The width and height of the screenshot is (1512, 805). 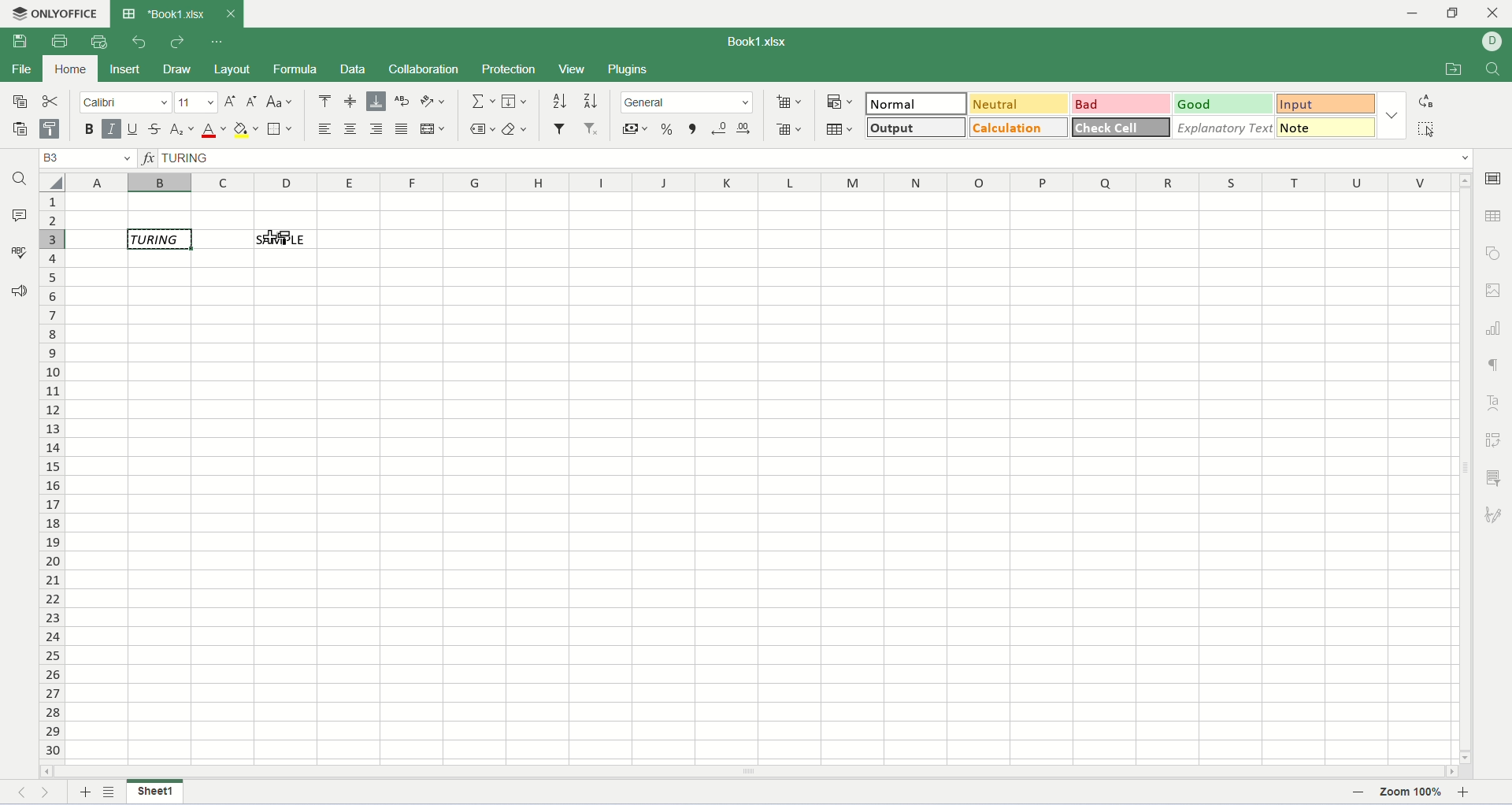 I want to click on minimize, so click(x=1420, y=13).